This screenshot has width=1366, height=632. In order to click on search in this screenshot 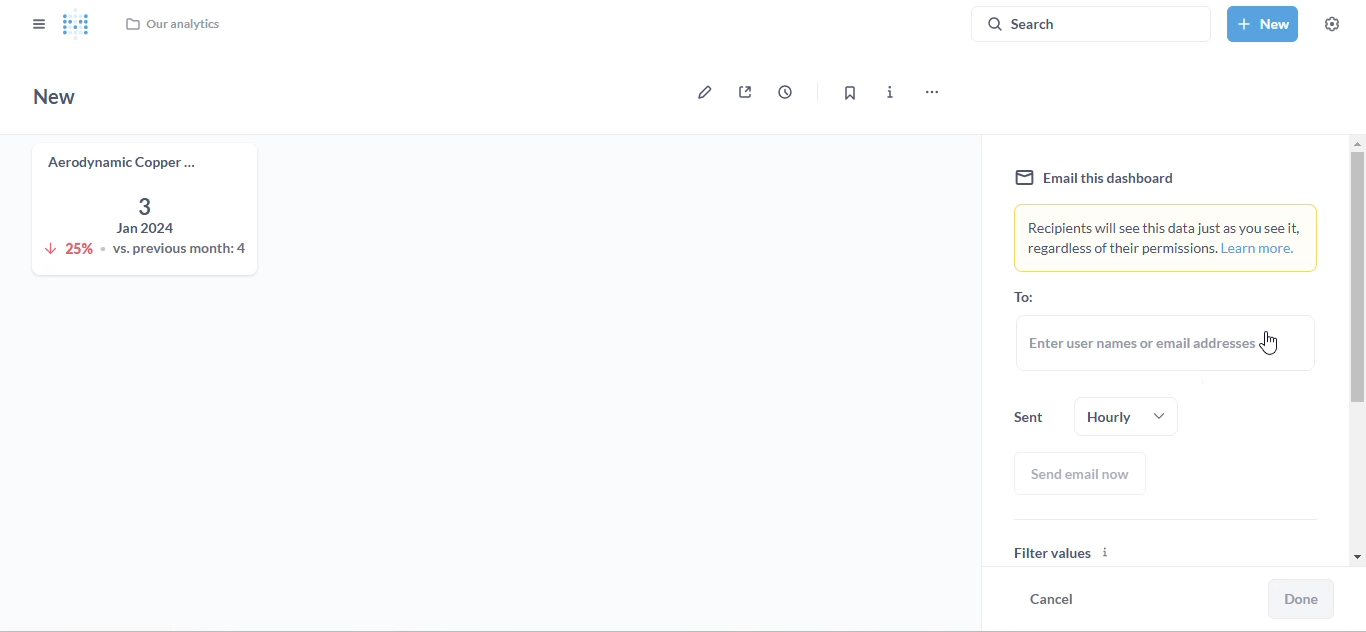, I will do `click(1091, 23)`.